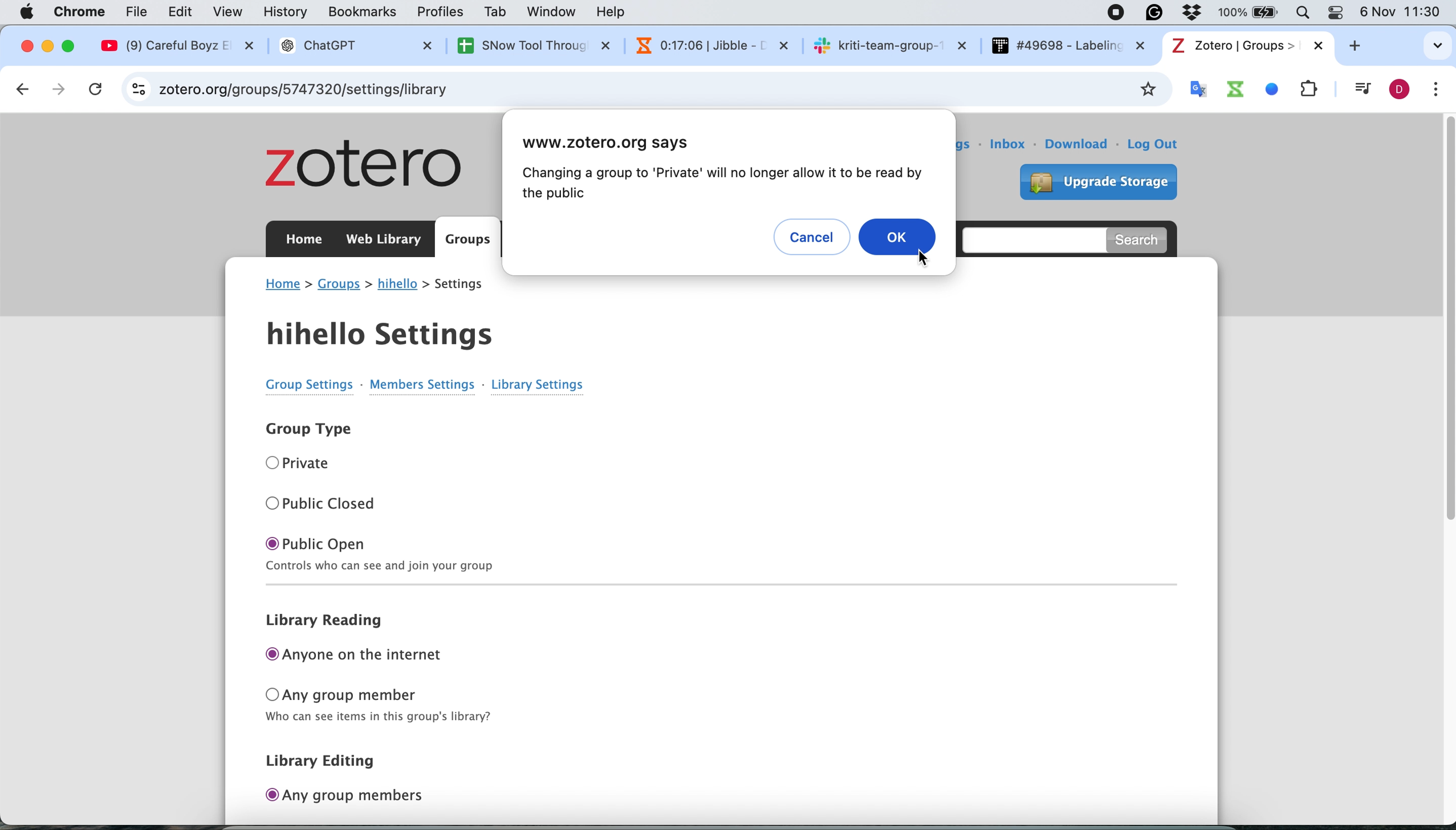 This screenshot has height=830, width=1456. What do you see at coordinates (1069, 46) in the screenshot?
I see `# #49698 - Labelin: x` at bounding box center [1069, 46].